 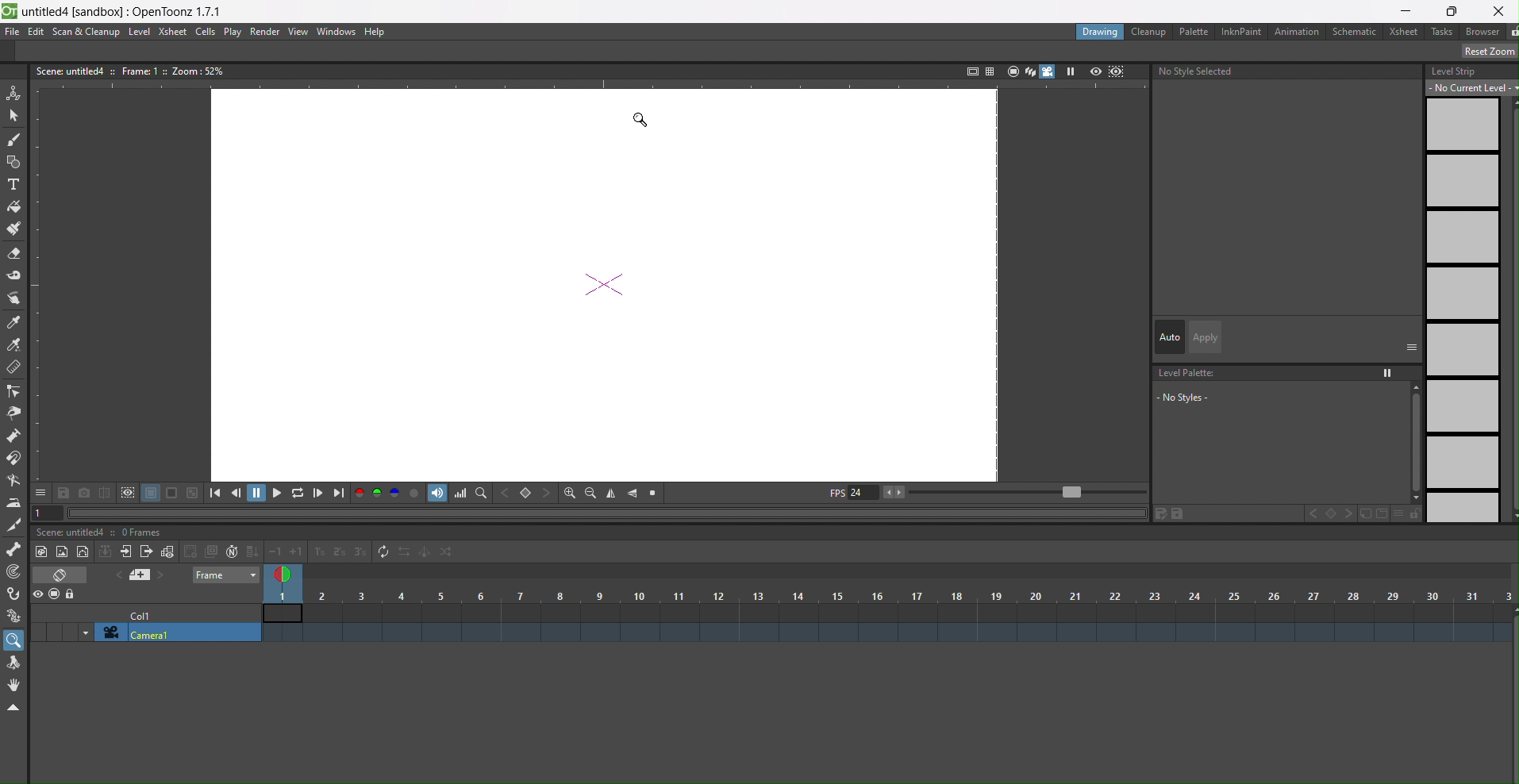 What do you see at coordinates (62, 551) in the screenshot?
I see `new  toonz vector level` at bounding box center [62, 551].